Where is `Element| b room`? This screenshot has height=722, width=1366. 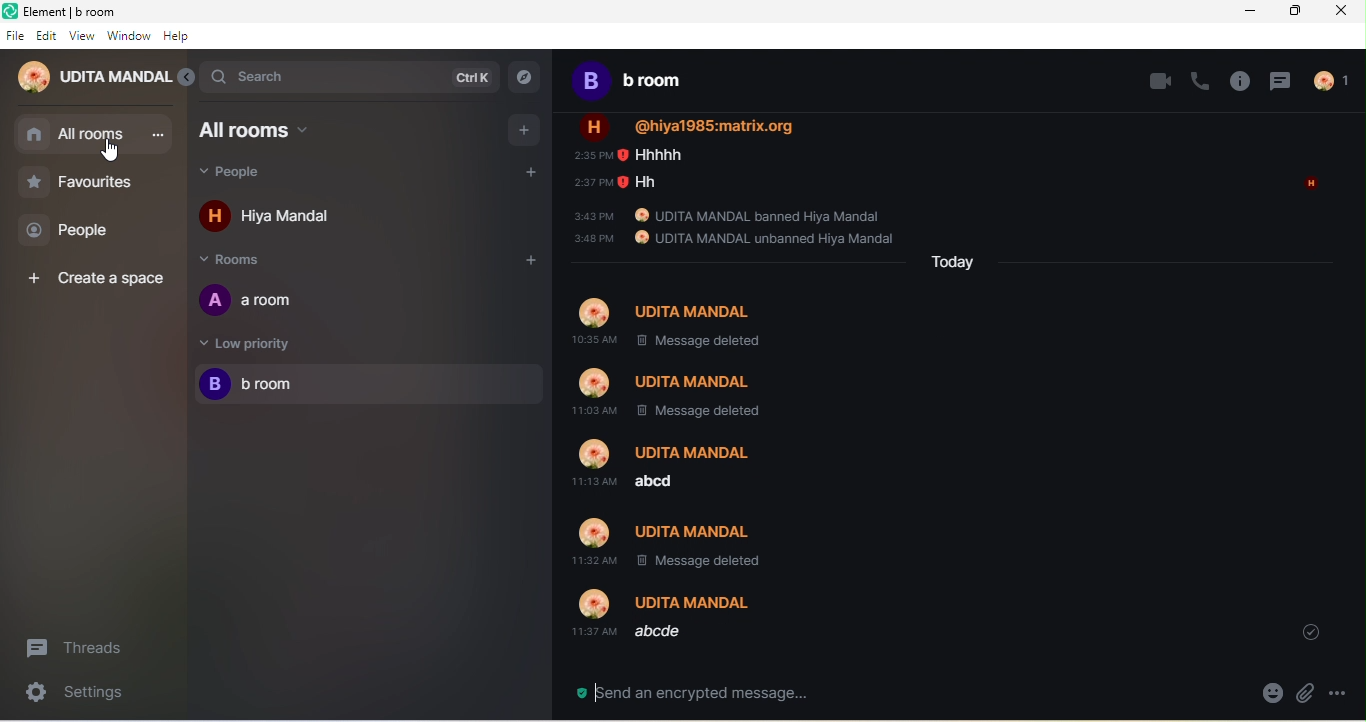
Element| b room is located at coordinates (93, 11).